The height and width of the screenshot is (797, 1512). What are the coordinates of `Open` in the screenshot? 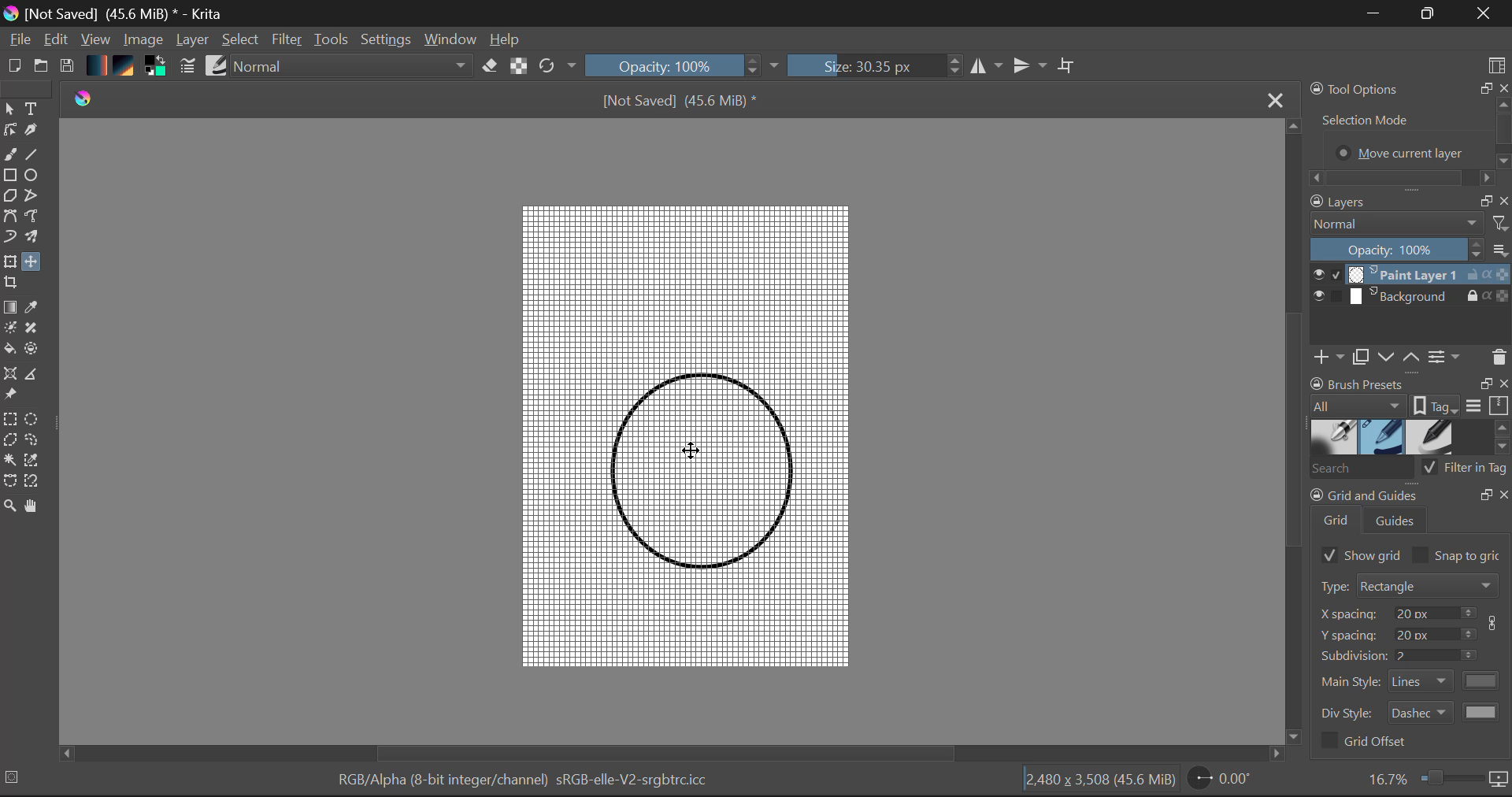 It's located at (41, 67).